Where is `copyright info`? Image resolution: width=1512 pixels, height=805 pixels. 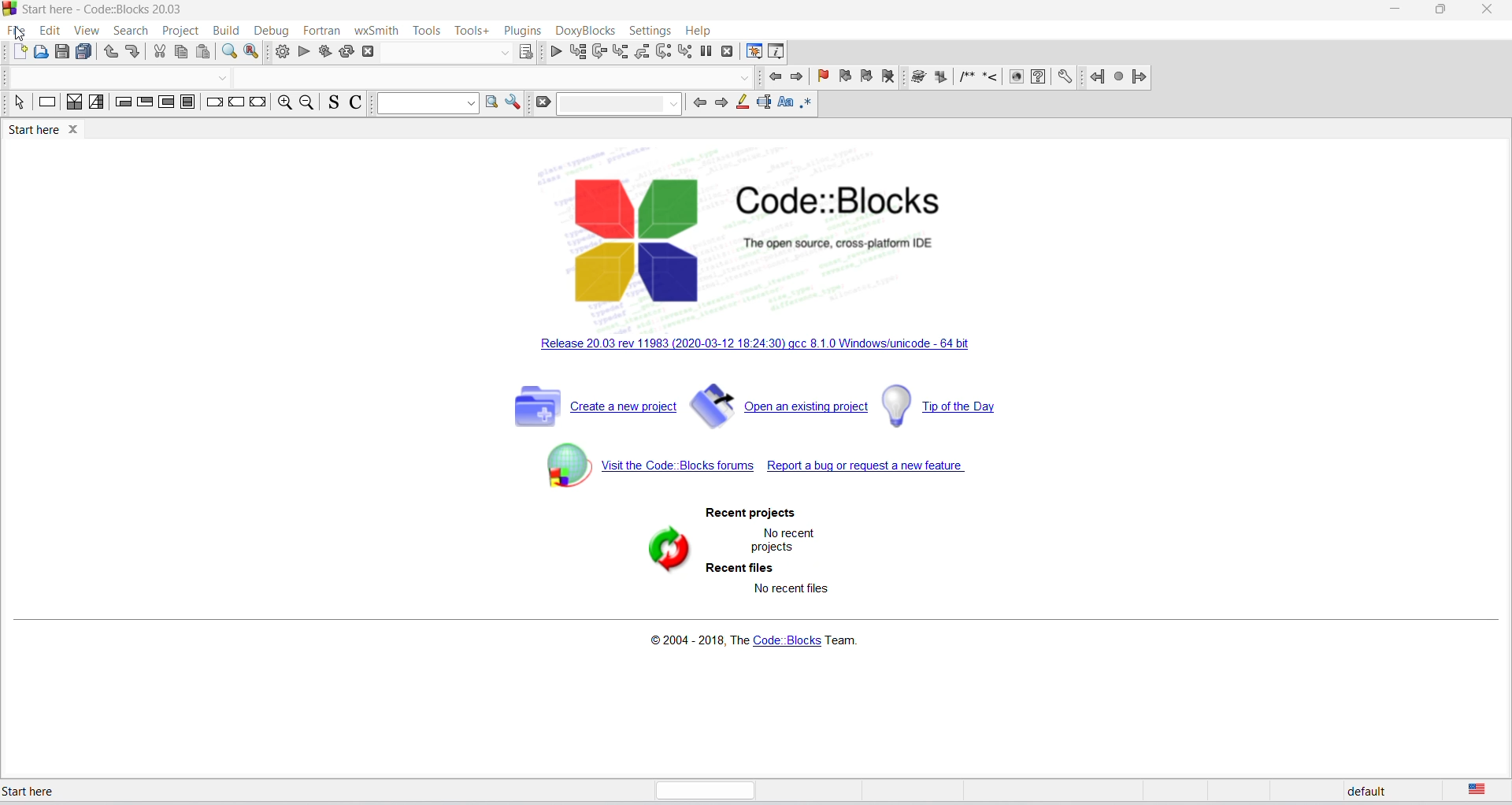 copyright info is located at coordinates (749, 639).